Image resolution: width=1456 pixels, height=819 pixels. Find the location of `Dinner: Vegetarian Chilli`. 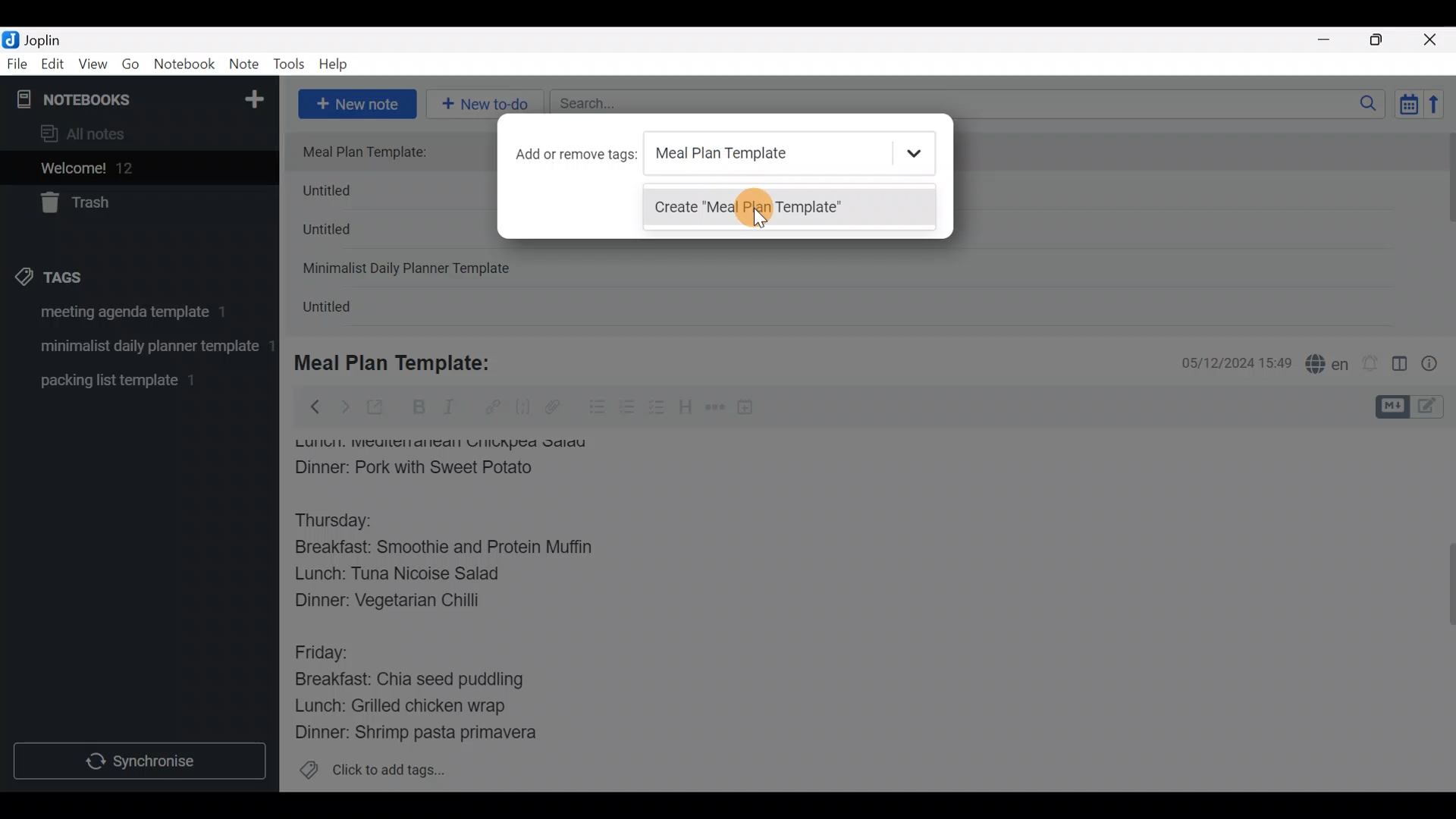

Dinner: Vegetarian Chilli is located at coordinates (401, 604).